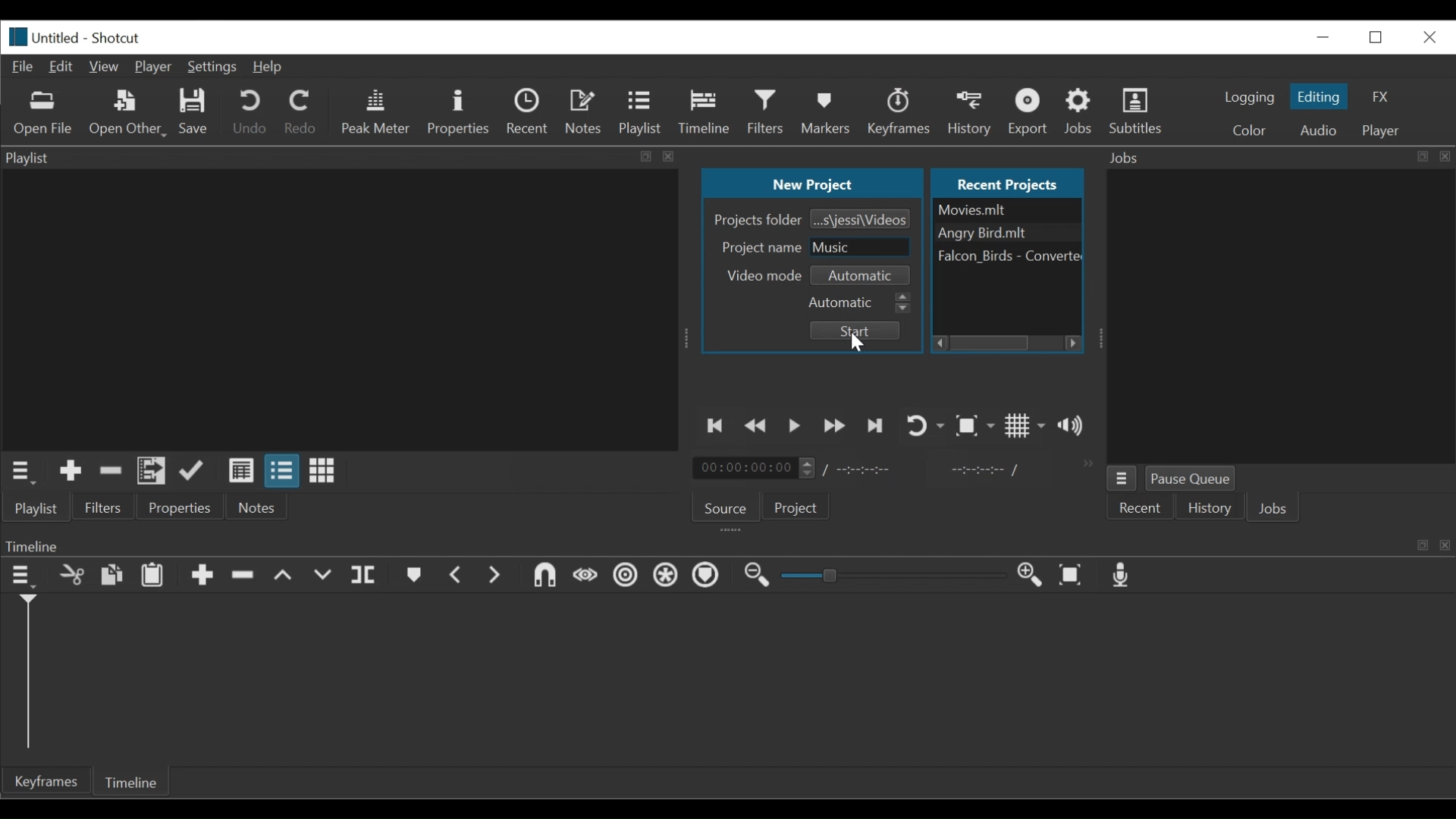 This screenshot has width=1456, height=819. Describe the element at coordinates (120, 37) in the screenshot. I see `Shotcut` at that location.